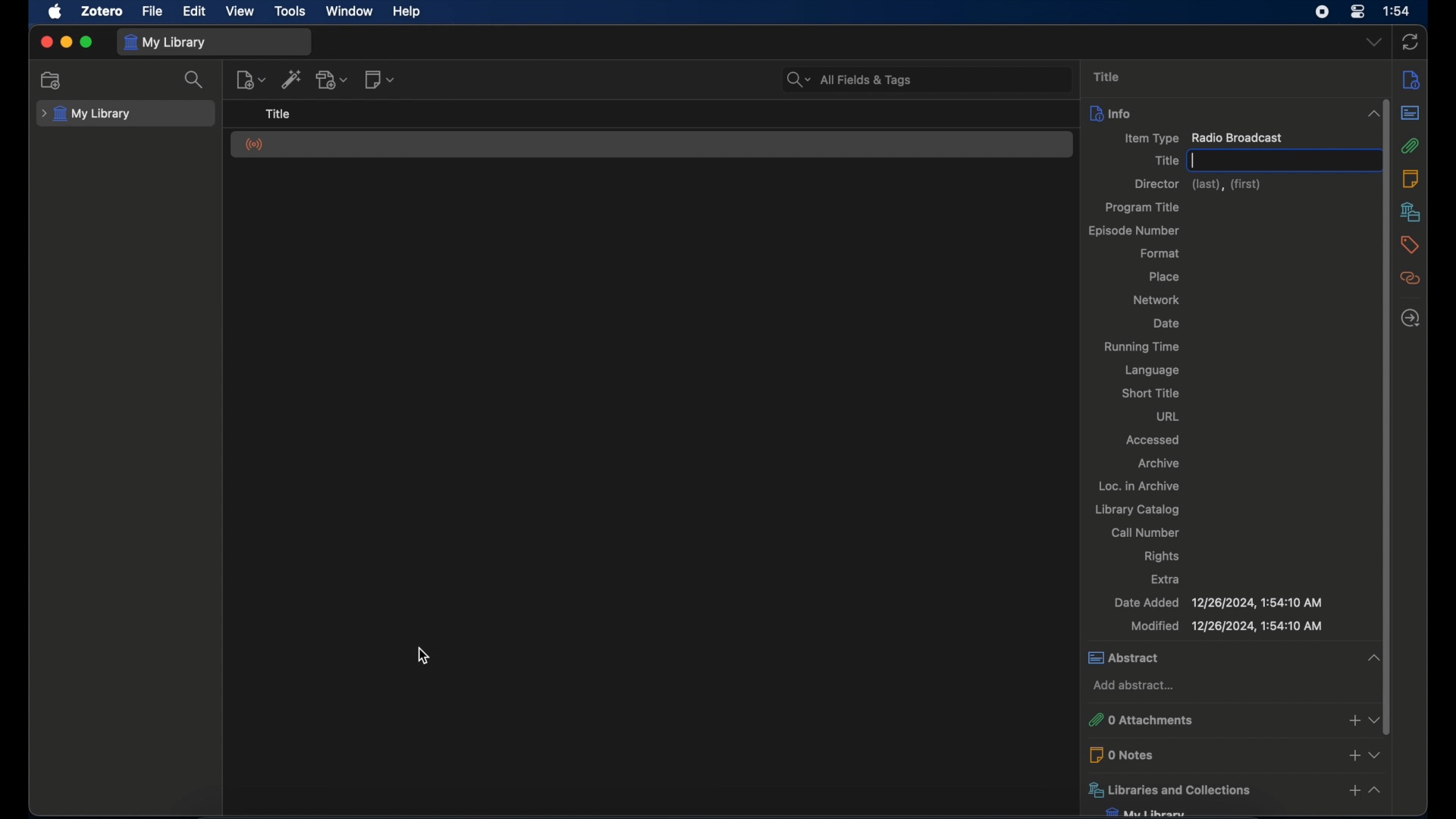  What do you see at coordinates (1153, 440) in the screenshot?
I see `accessed` at bounding box center [1153, 440].